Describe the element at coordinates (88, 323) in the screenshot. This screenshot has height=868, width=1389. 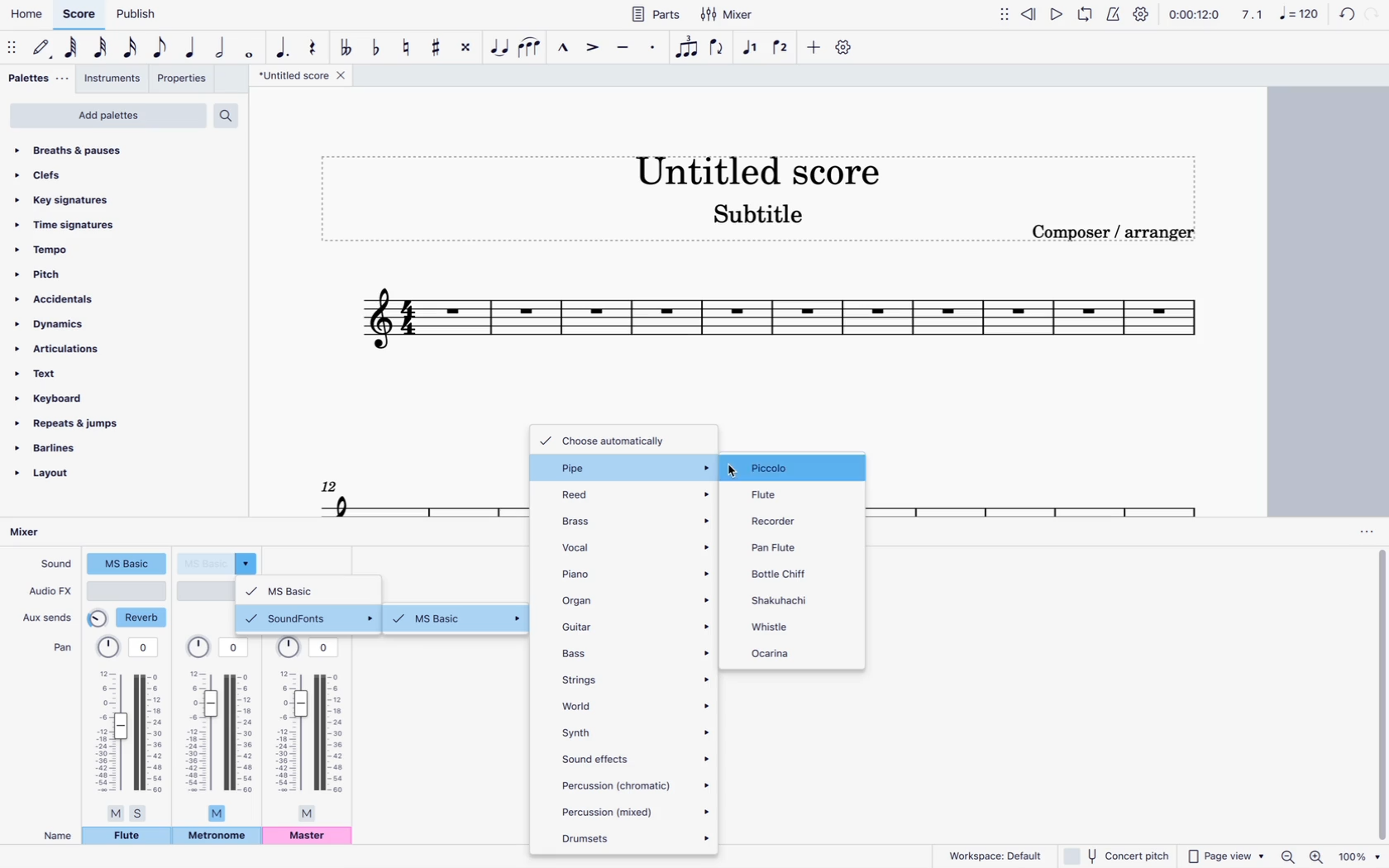
I see `dynamics` at that location.